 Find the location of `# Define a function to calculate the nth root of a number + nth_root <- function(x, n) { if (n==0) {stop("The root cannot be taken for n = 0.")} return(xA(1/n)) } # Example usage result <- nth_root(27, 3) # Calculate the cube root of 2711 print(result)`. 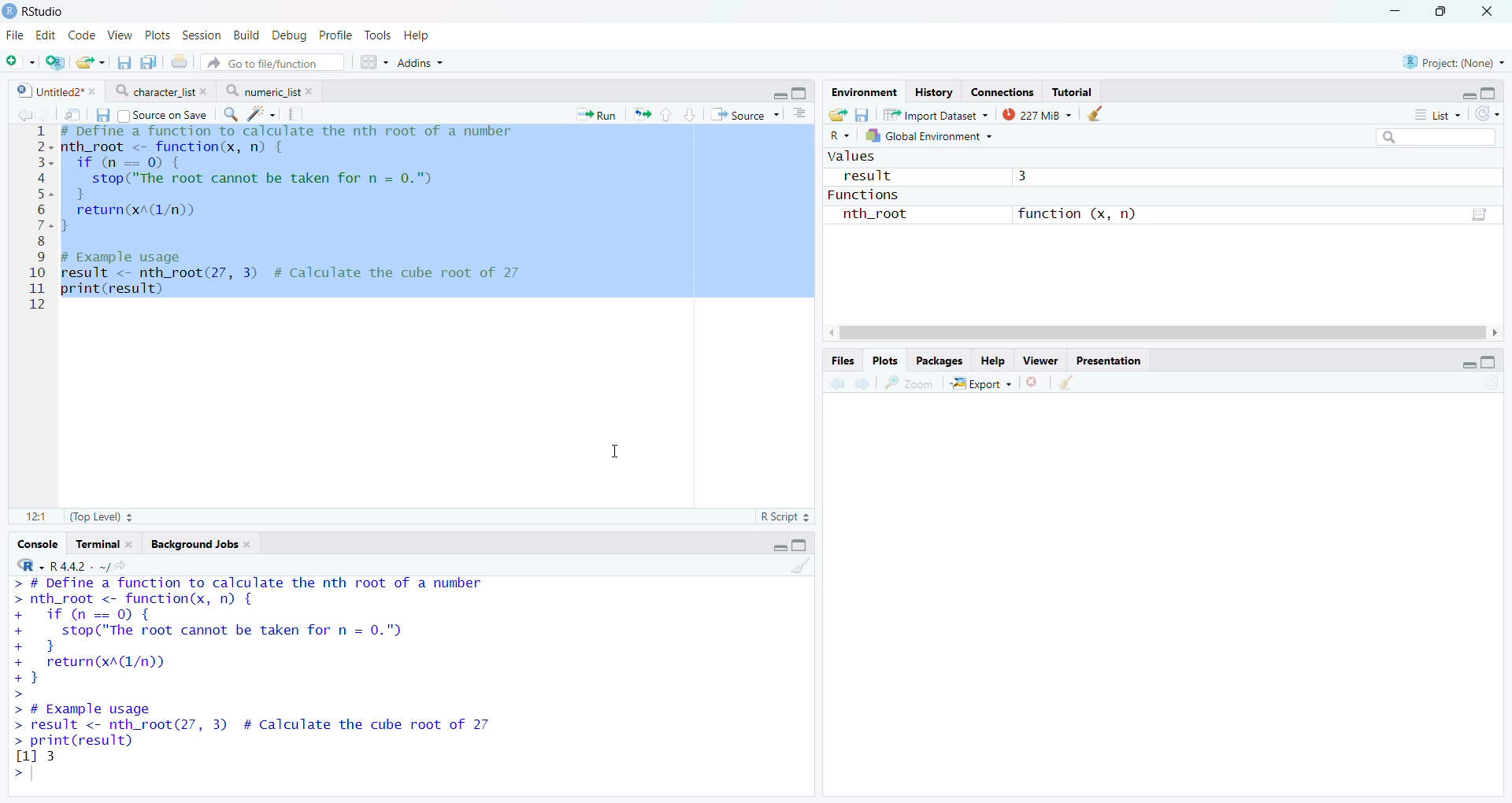

# Define a function to calculate the nth root of a number + nth_root <- function(x, n) { if (n==0) {stop("The root cannot be taken for n = 0.")} return(xA(1/n)) } # Example usage result <- nth_root(27, 3) # Calculate the cube root of 2711 print(result) is located at coordinates (438, 216).